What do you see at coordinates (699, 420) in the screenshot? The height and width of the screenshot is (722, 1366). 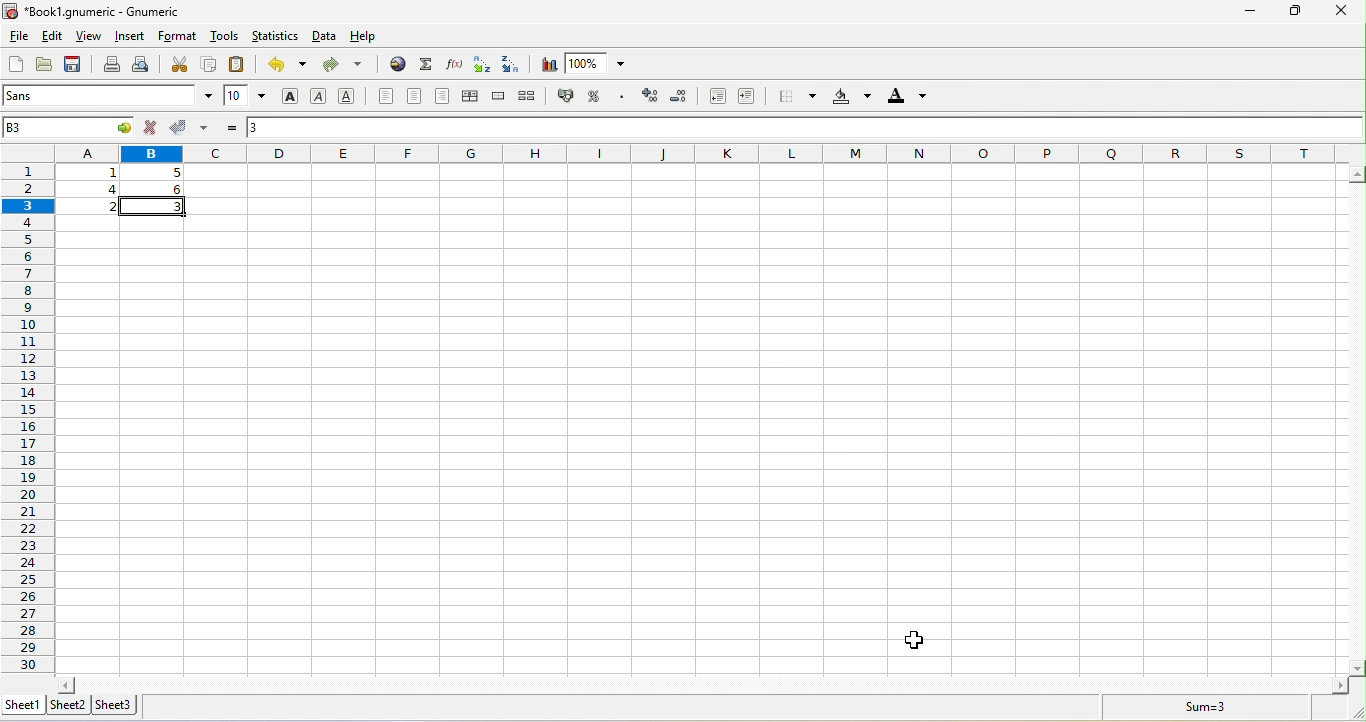 I see `margins adjusted for print` at bounding box center [699, 420].